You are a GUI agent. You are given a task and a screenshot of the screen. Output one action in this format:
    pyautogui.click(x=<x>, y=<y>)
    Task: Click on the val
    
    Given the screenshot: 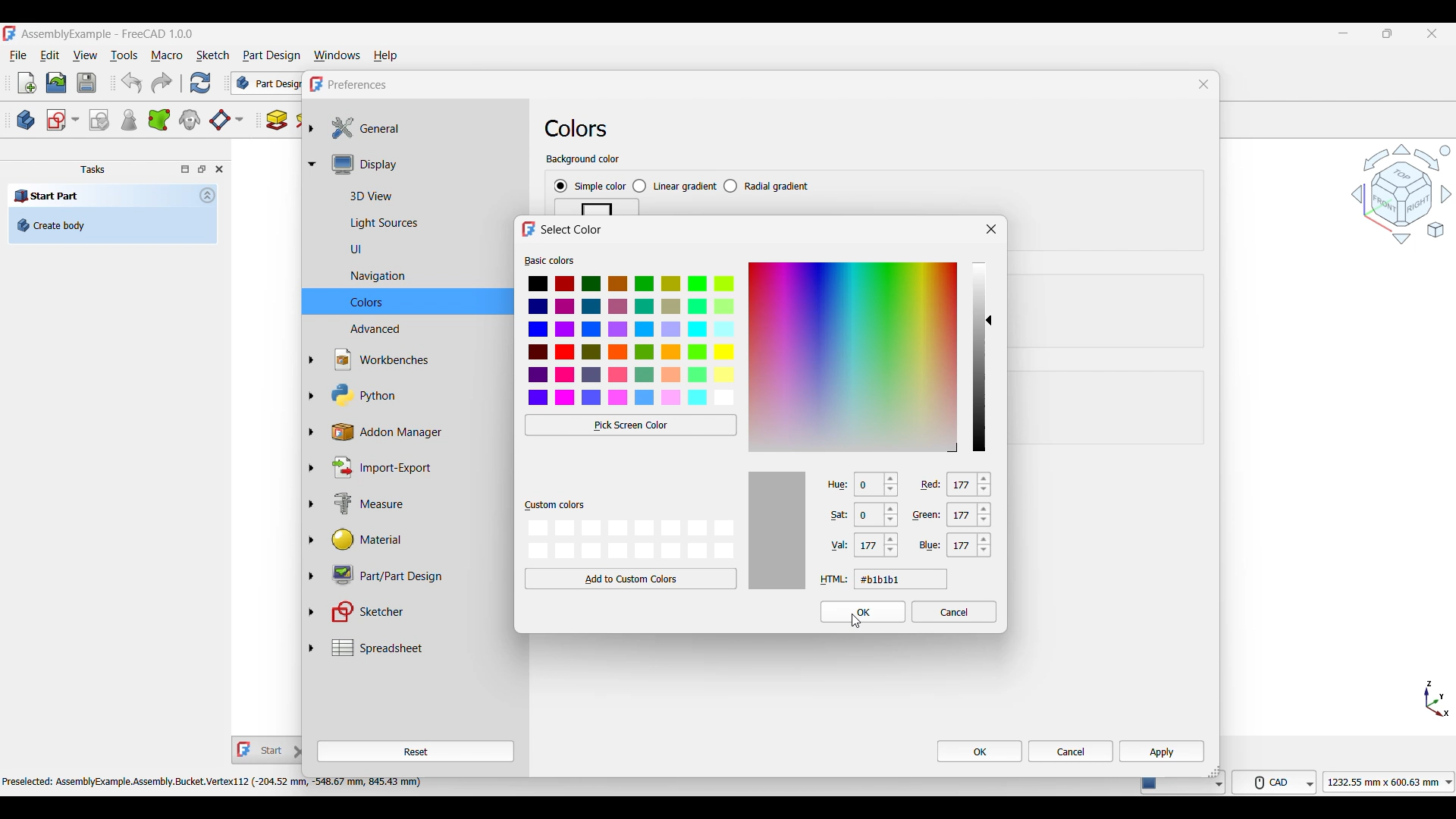 What is the action you would take?
    pyautogui.click(x=834, y=546)
    